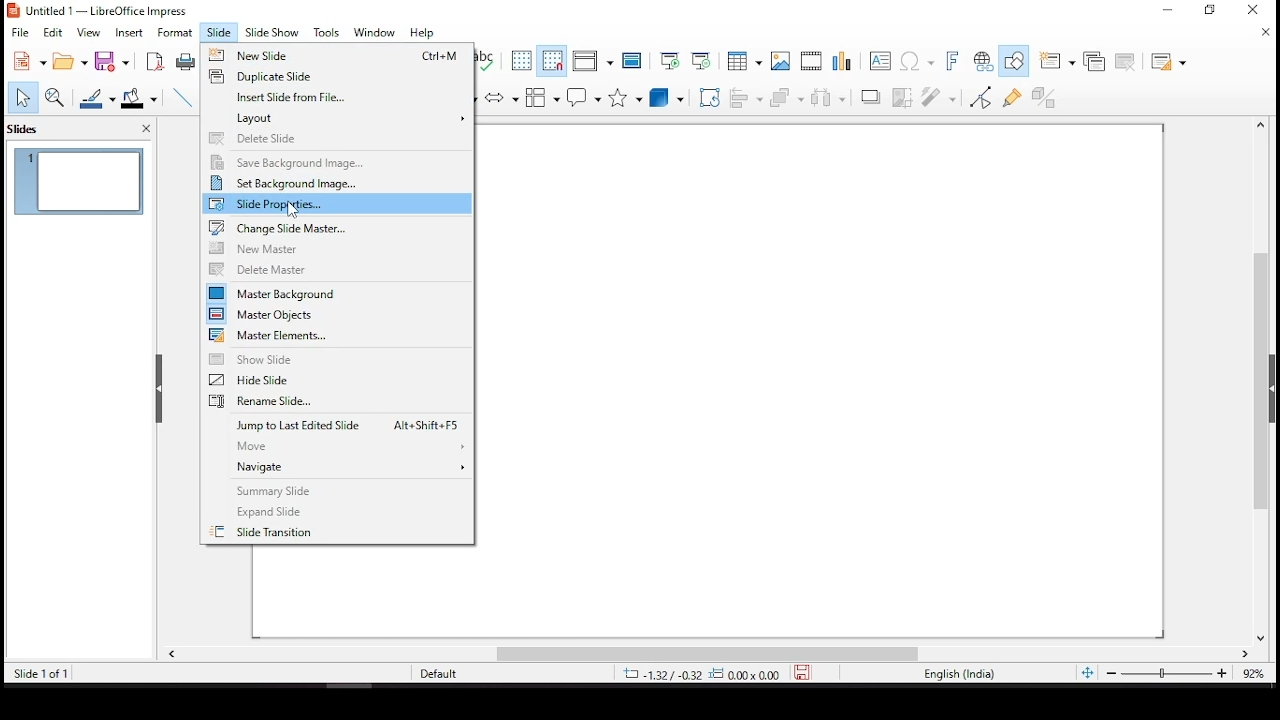 This screenshot has width=1280, height=720. What do you see at coordinates (867, 96) in the screenshot?
I see `shadow` at bounding box center [867, 96].